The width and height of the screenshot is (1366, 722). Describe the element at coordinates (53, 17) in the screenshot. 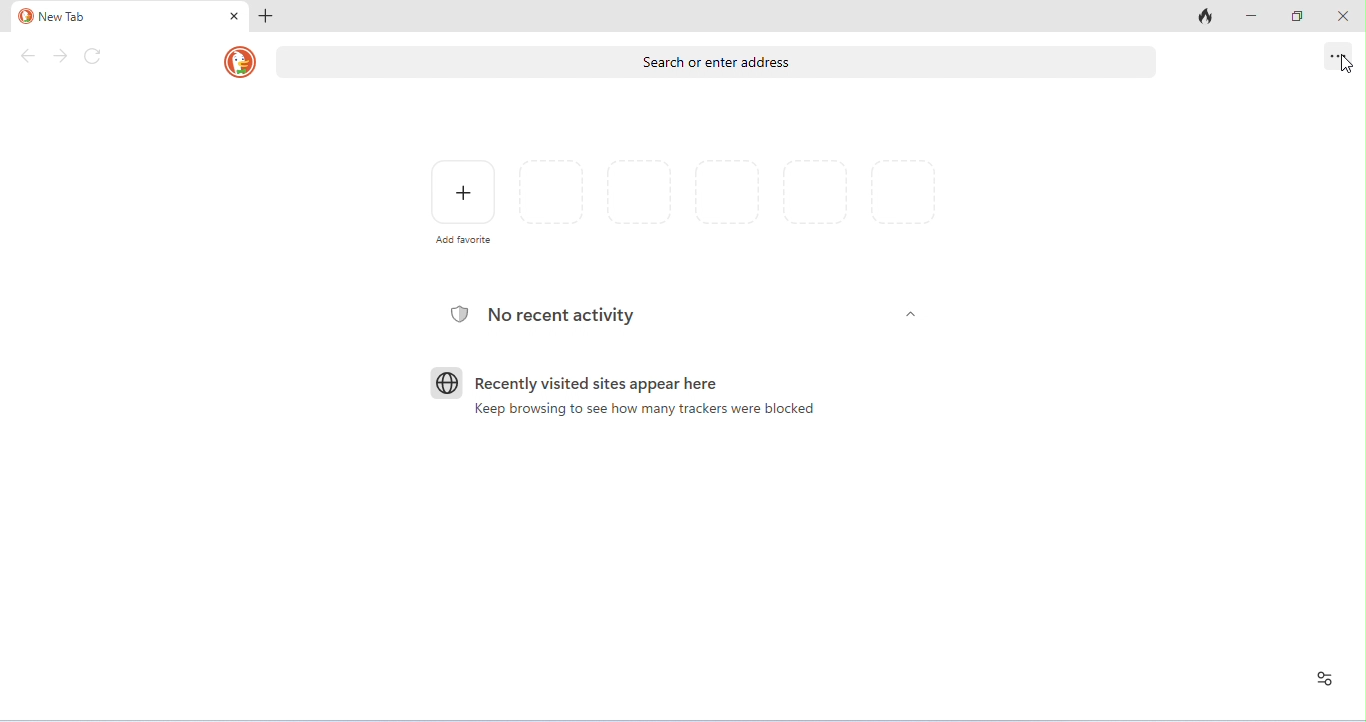

I see `new tab` at that location.